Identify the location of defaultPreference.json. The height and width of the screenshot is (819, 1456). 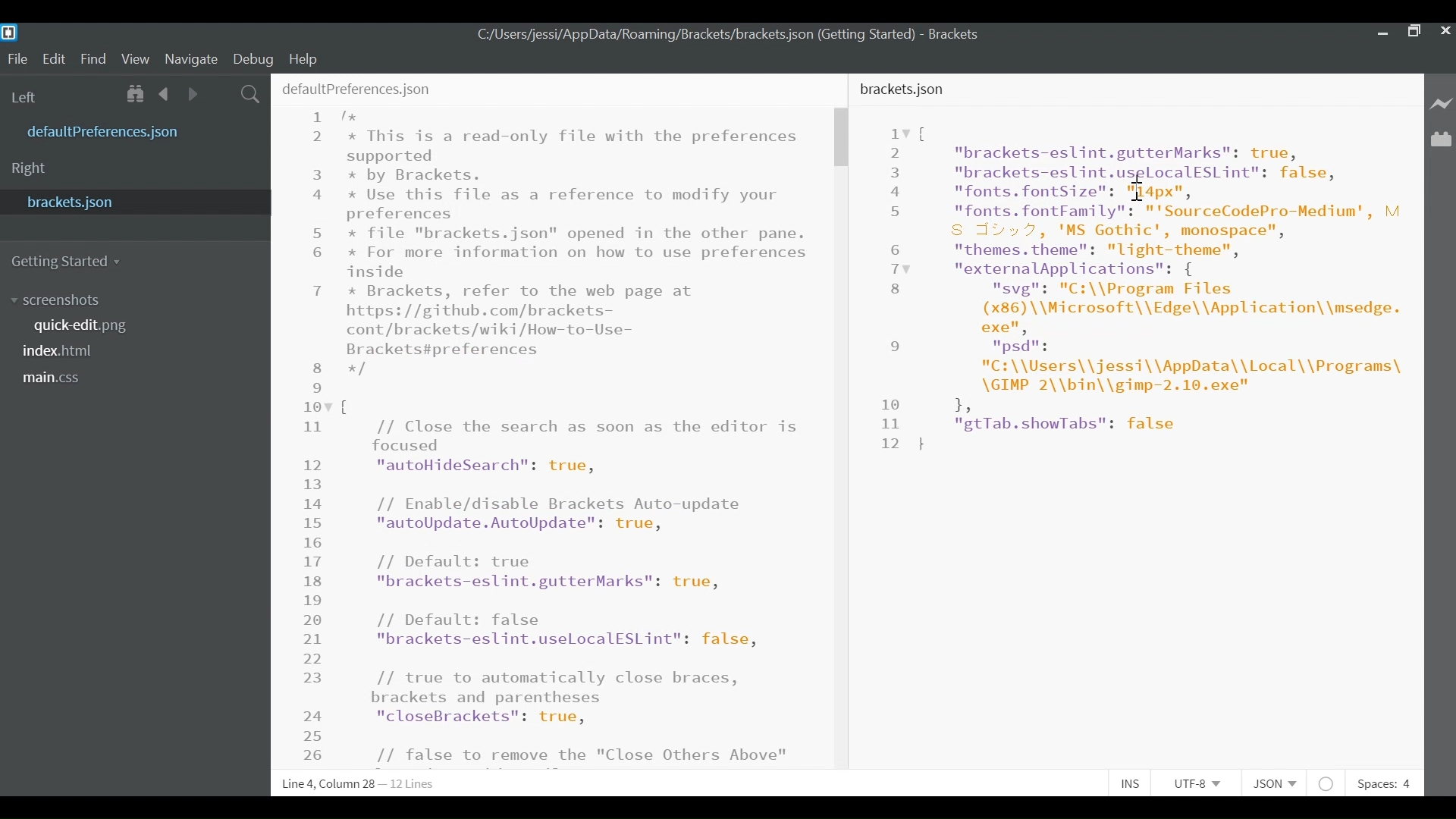
(140, 130).